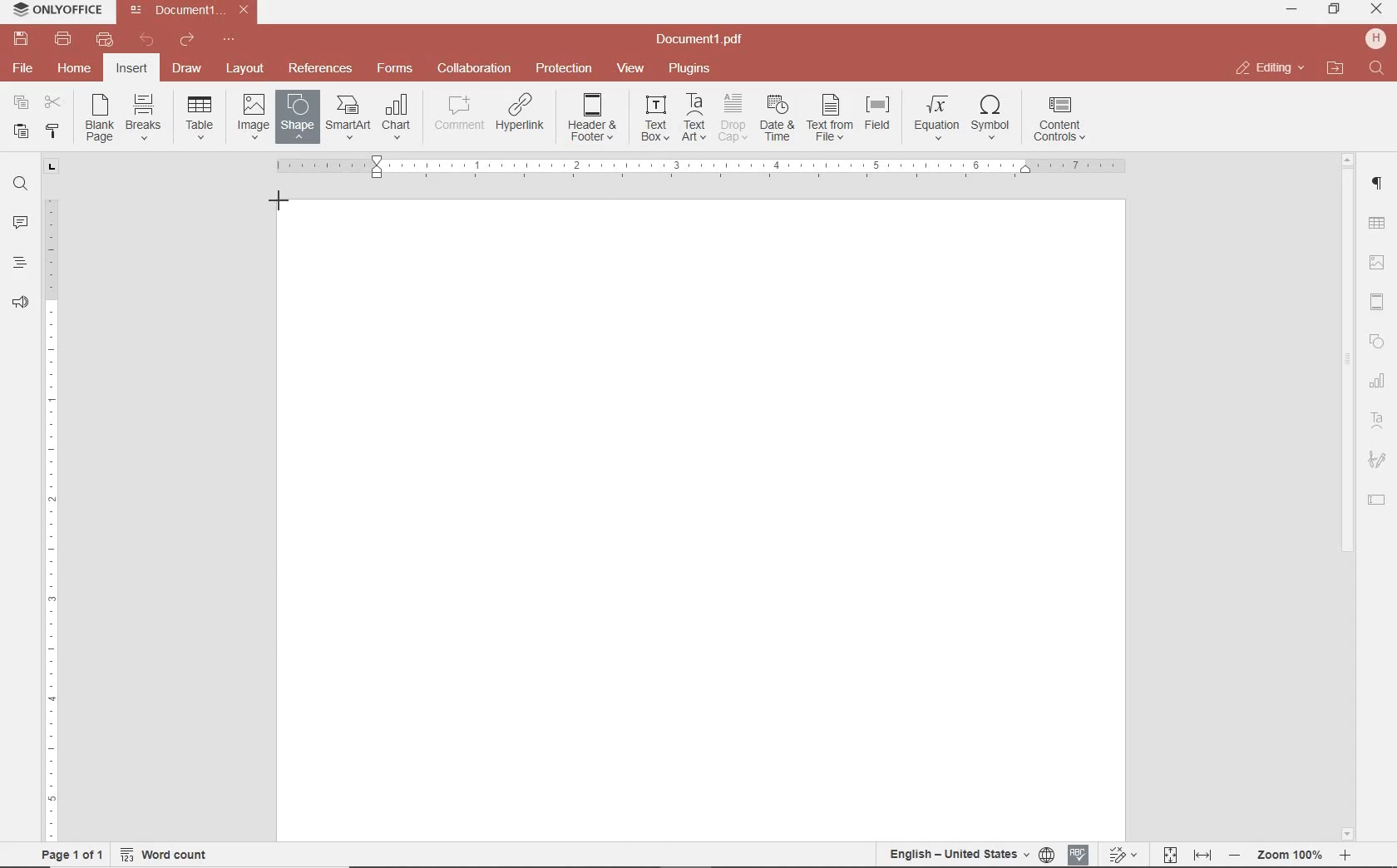 This screenshot has height=868, width=1397. Describe the element at coordinates (348, 116) in the screenshot. I see `INSERT SMART ART` at that location.